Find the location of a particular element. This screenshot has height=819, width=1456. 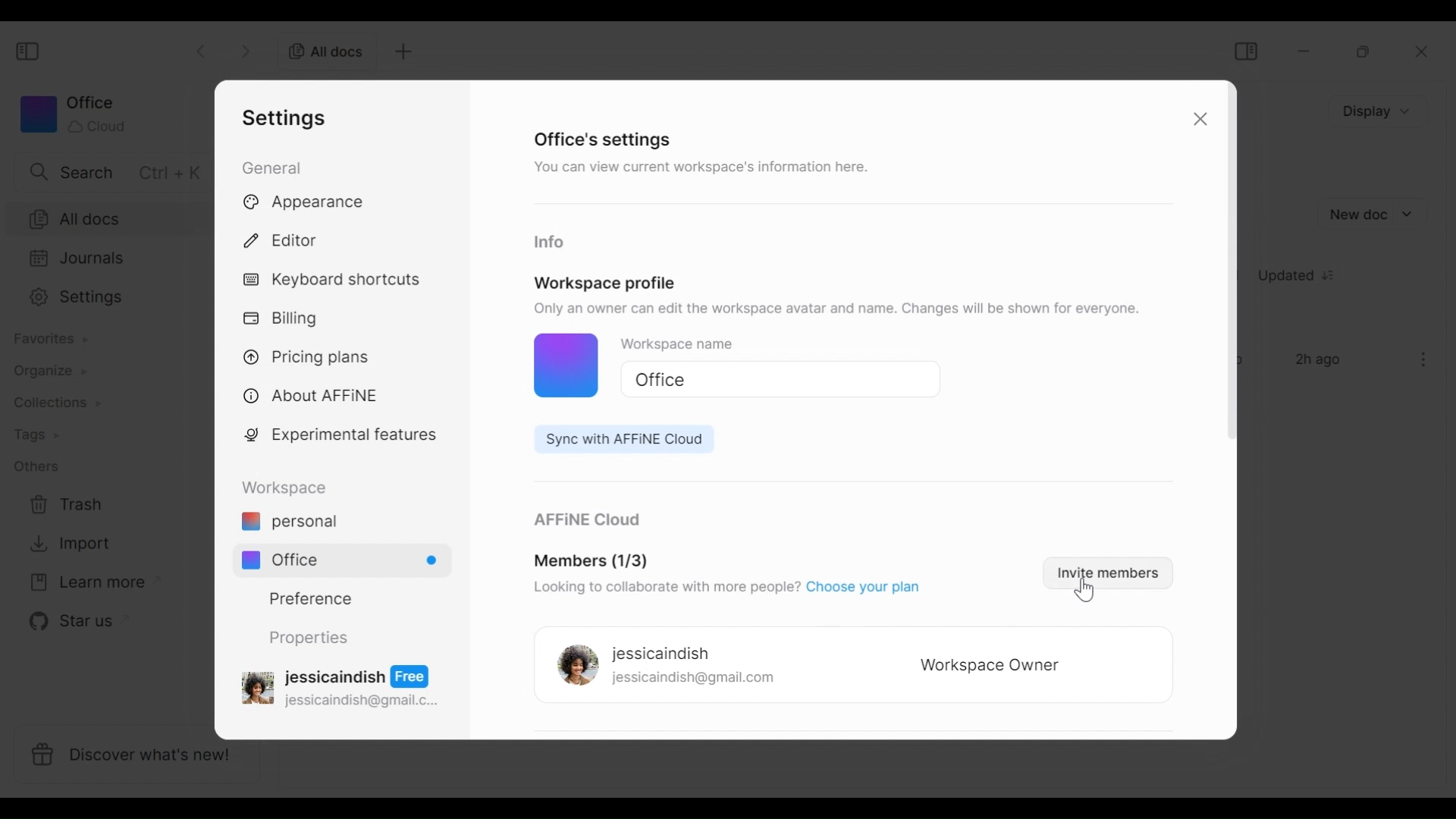

AFFINE Cloud is located at coordinates (585, 521).